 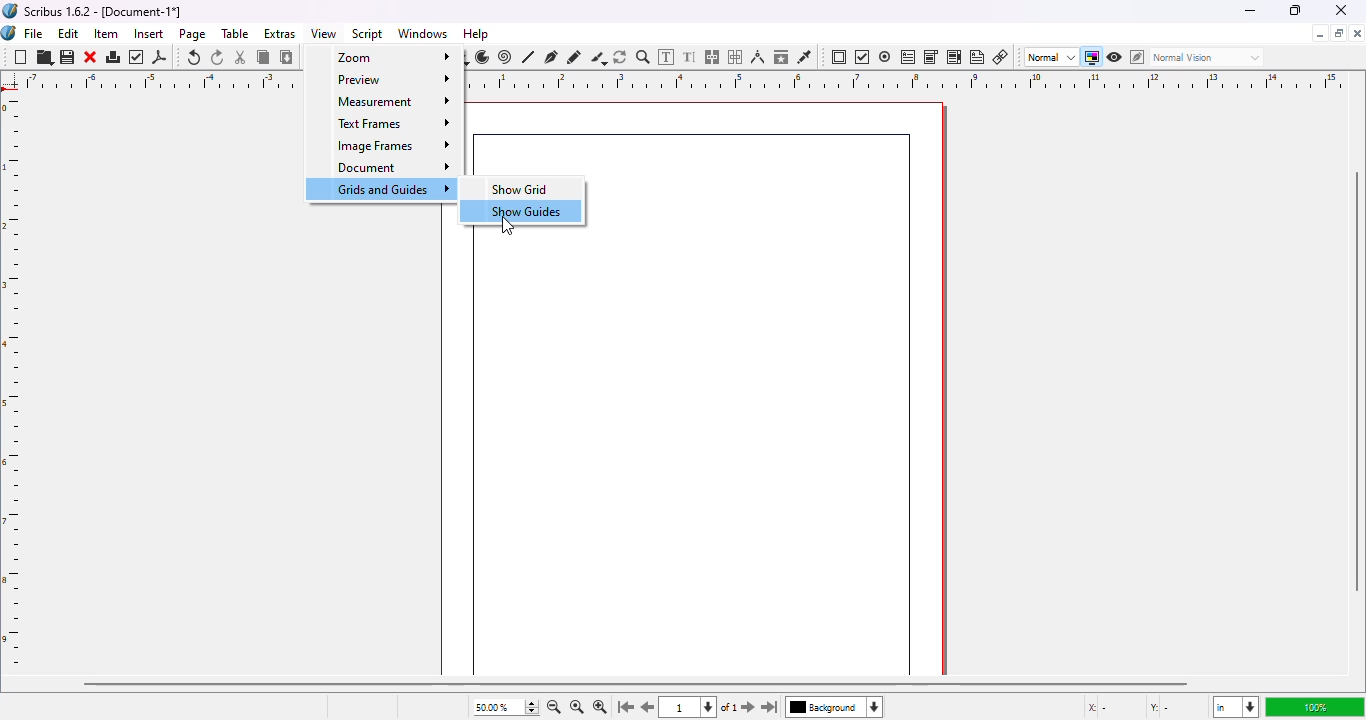 What do you see at coordinates (263, 57) in the screenshot?
I see `copy` at bounding box center [263, 57].